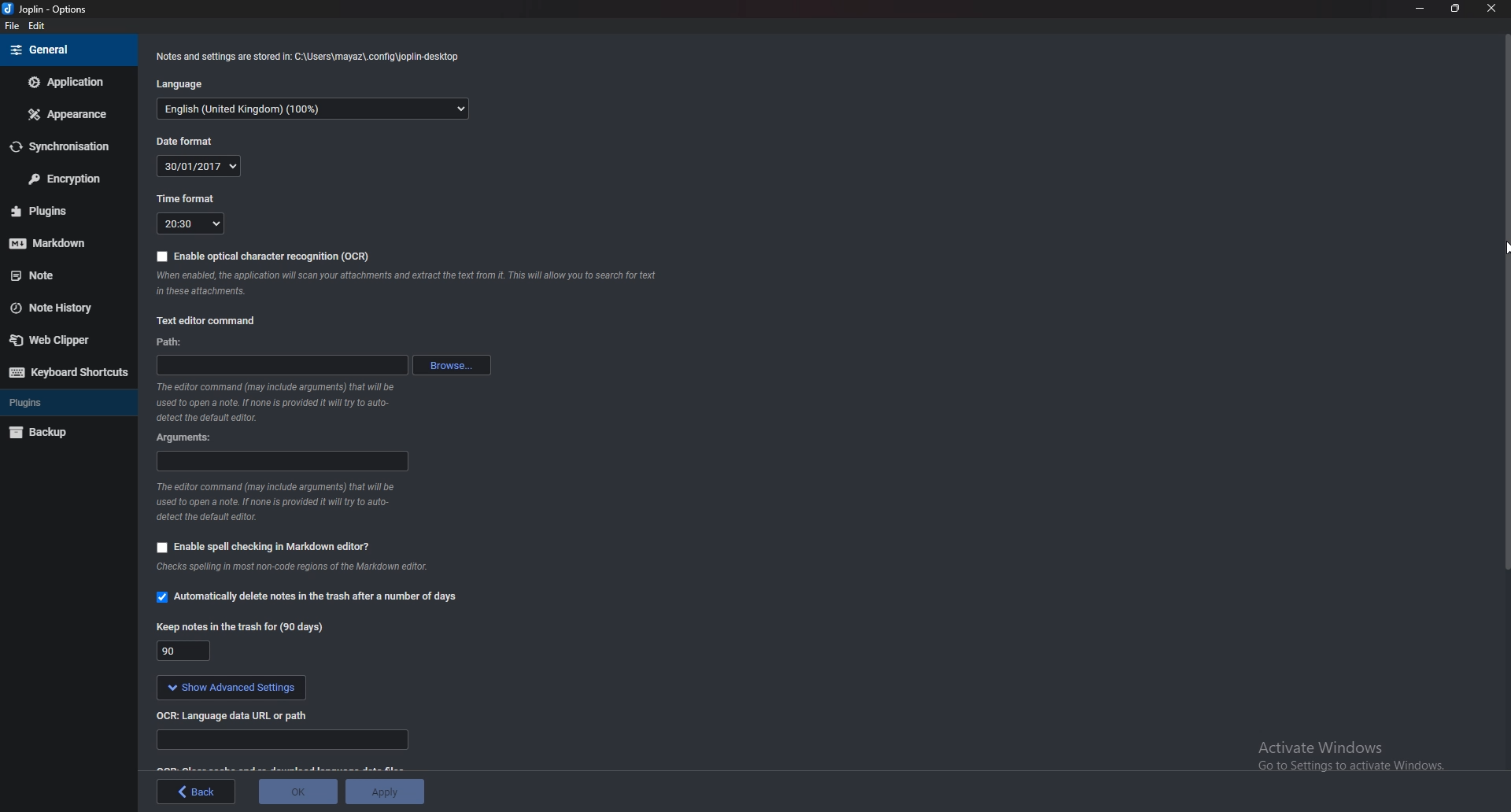  I want to click on joplin, so click(48, 9).